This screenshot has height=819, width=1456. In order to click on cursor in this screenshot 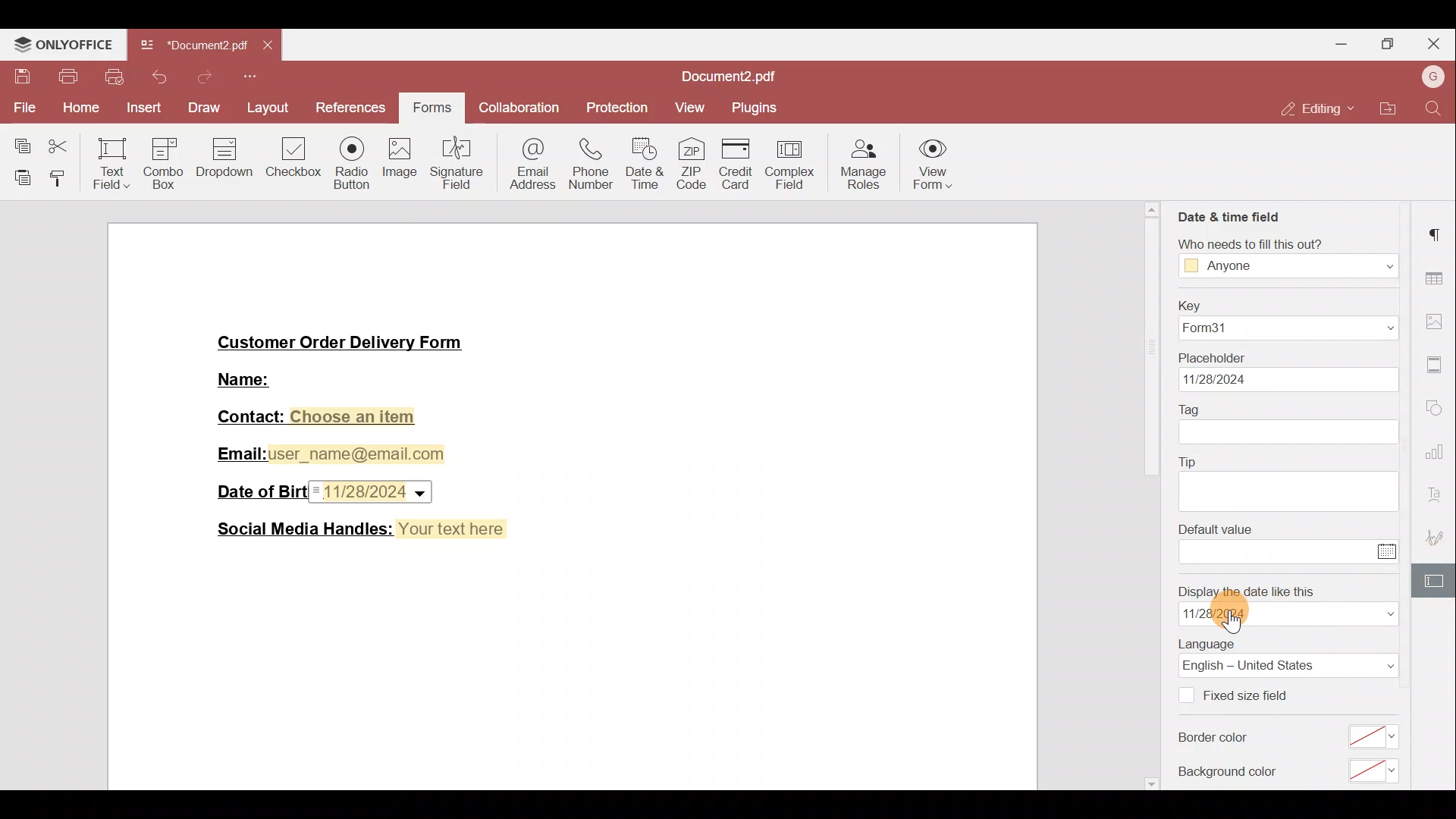, I will do `click(1232, 623)`.